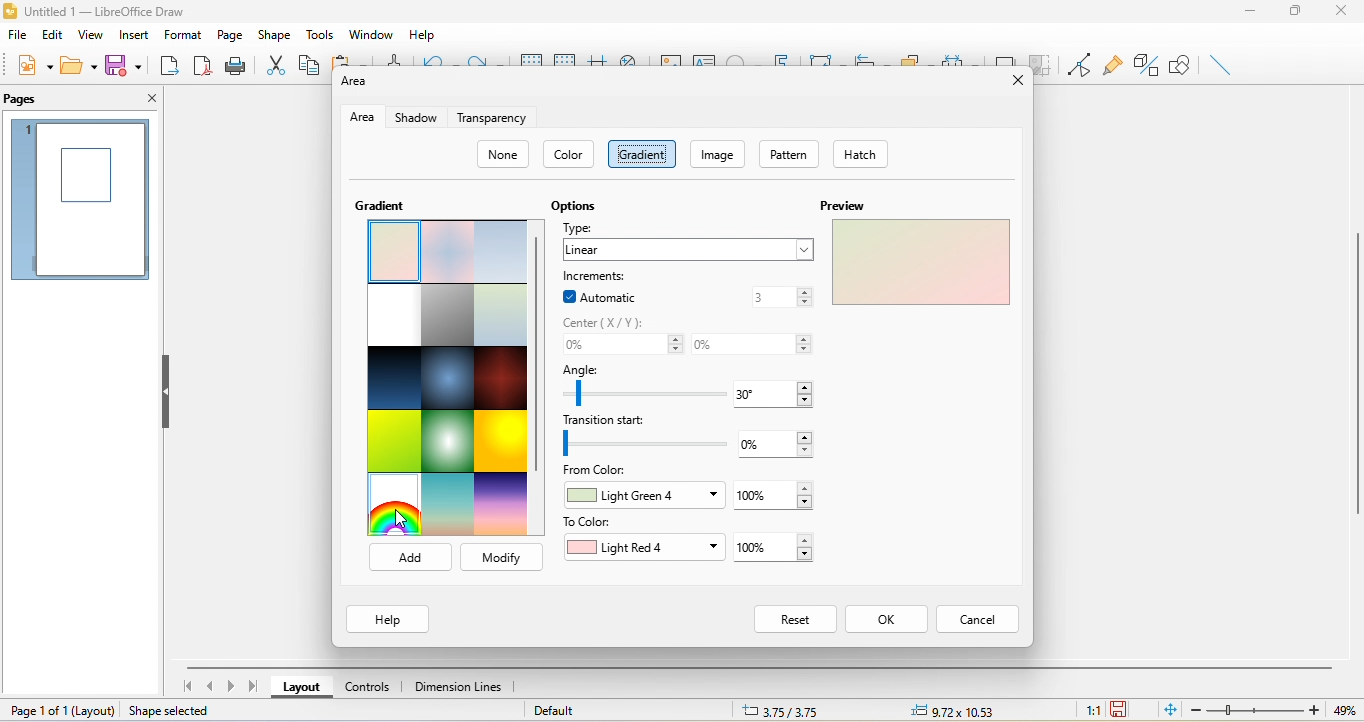 The width and height of the screenshot is (1364, 722). I want to click on center(x/y), so click(609, 320).